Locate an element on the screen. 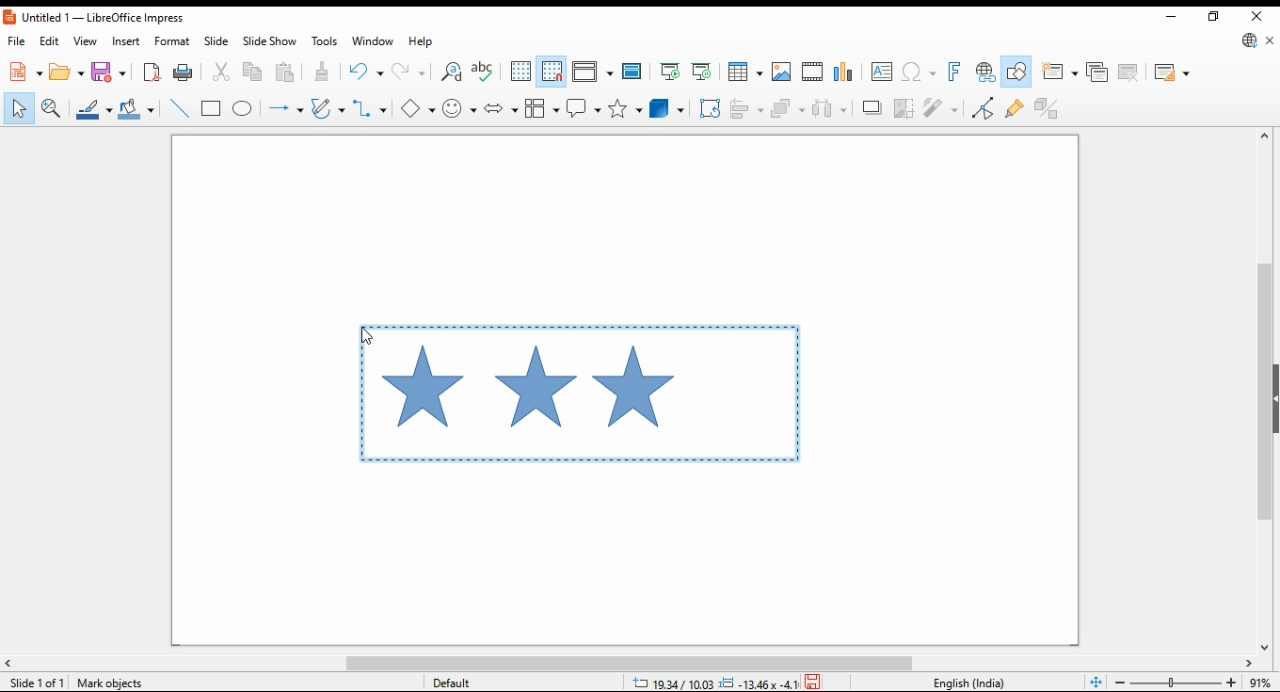 The height and width of the screenshot is (692, 1280). insert video is located at coordinates (812, 70).